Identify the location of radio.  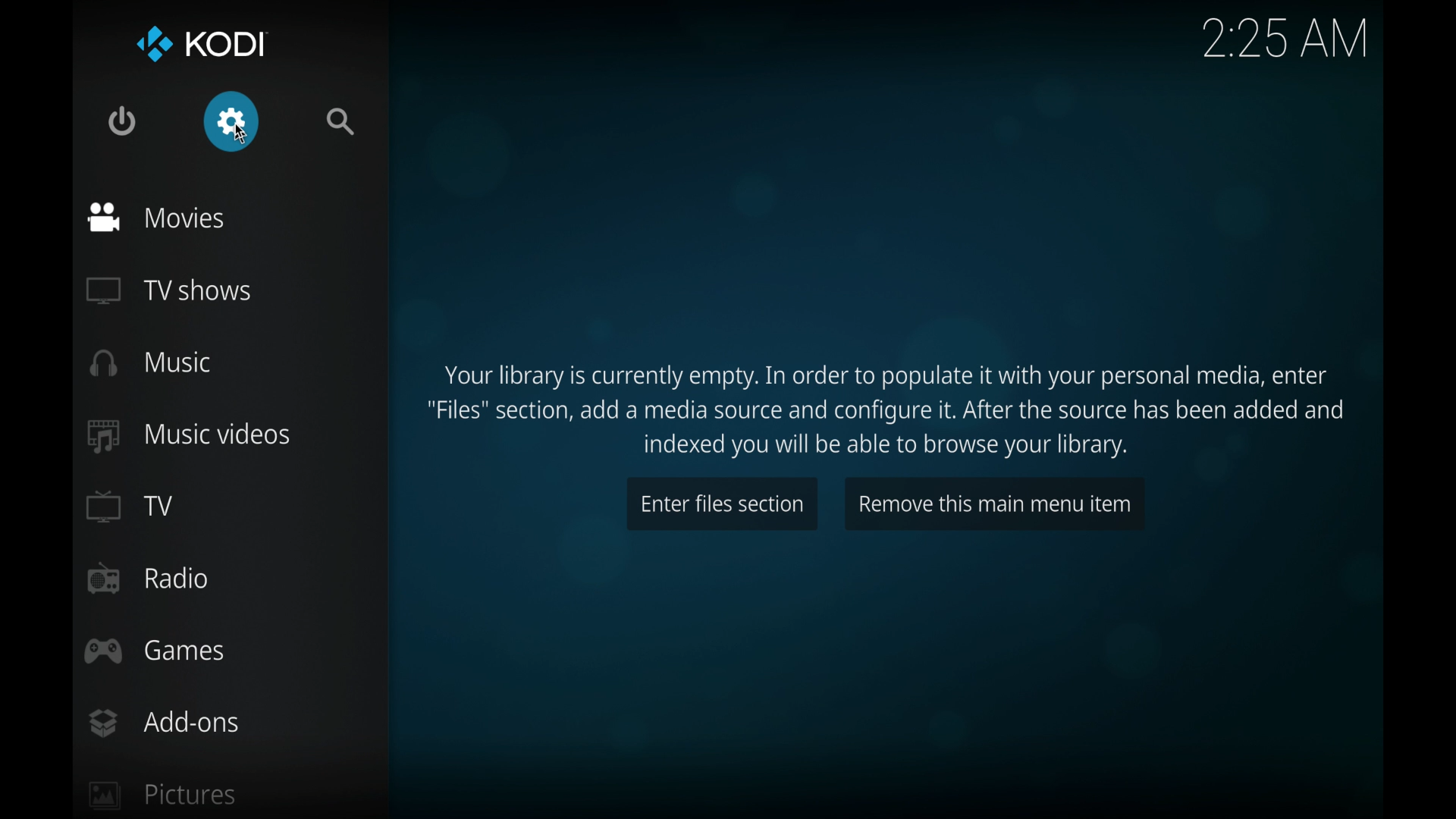
(147, 579).